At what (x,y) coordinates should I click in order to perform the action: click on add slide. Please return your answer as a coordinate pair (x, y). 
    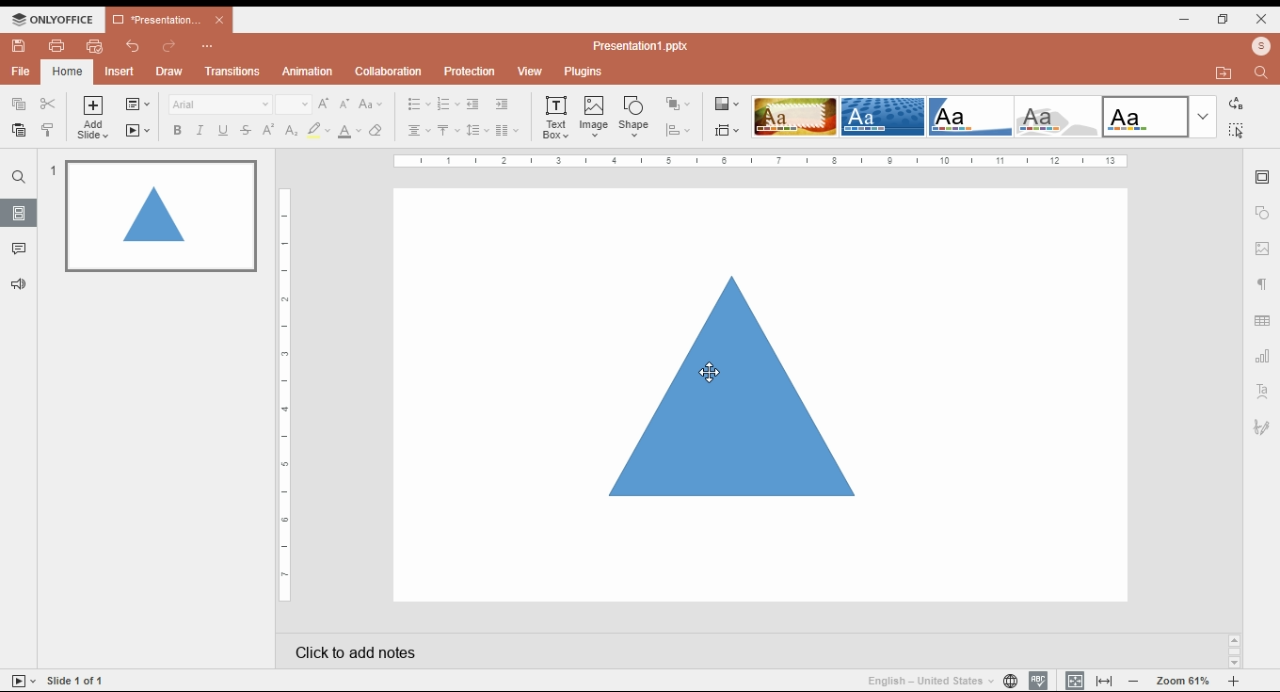
    Looking at the image, I should click on (93, 118).